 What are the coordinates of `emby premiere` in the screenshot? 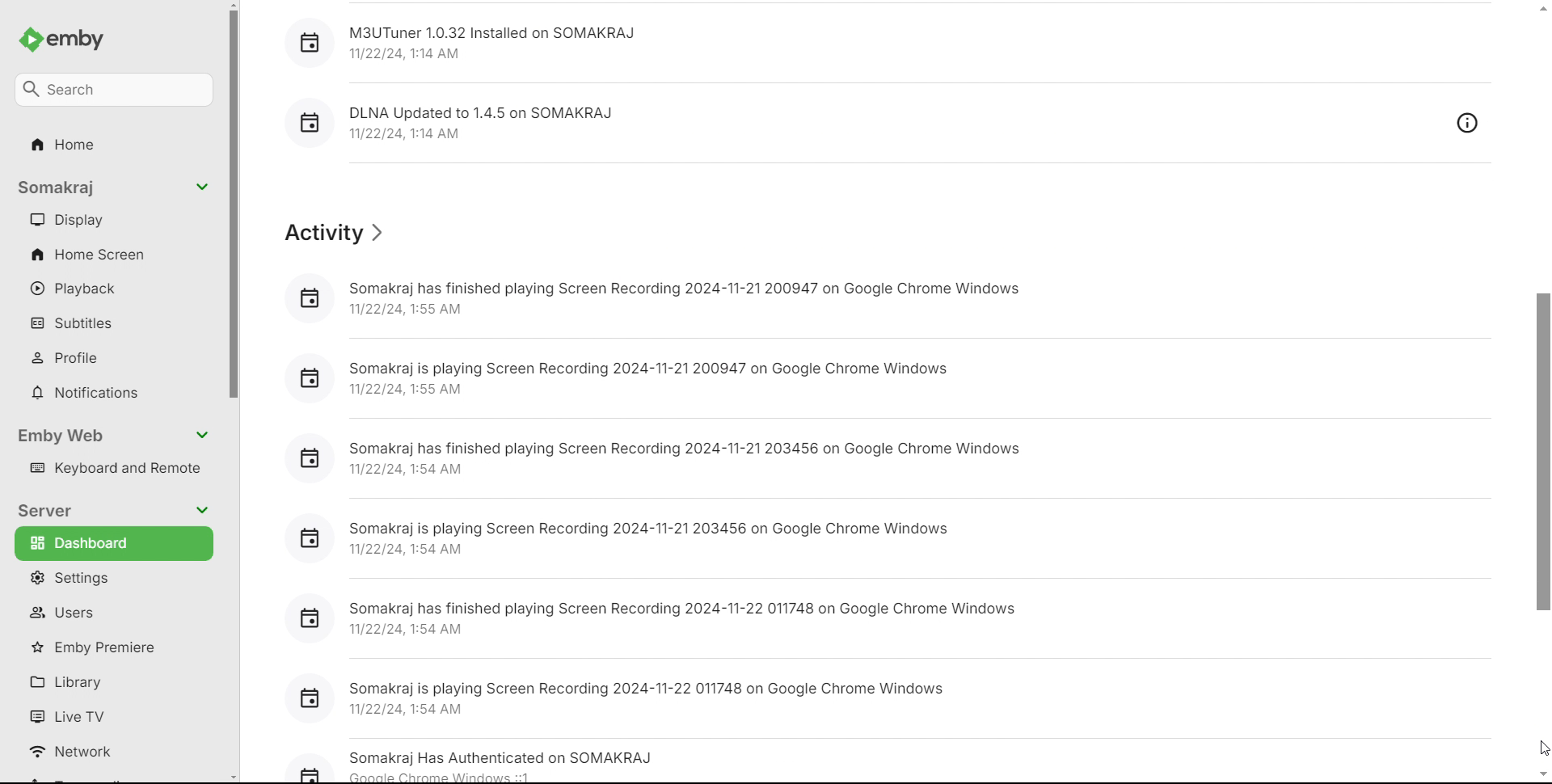 It's located at (110, 646).